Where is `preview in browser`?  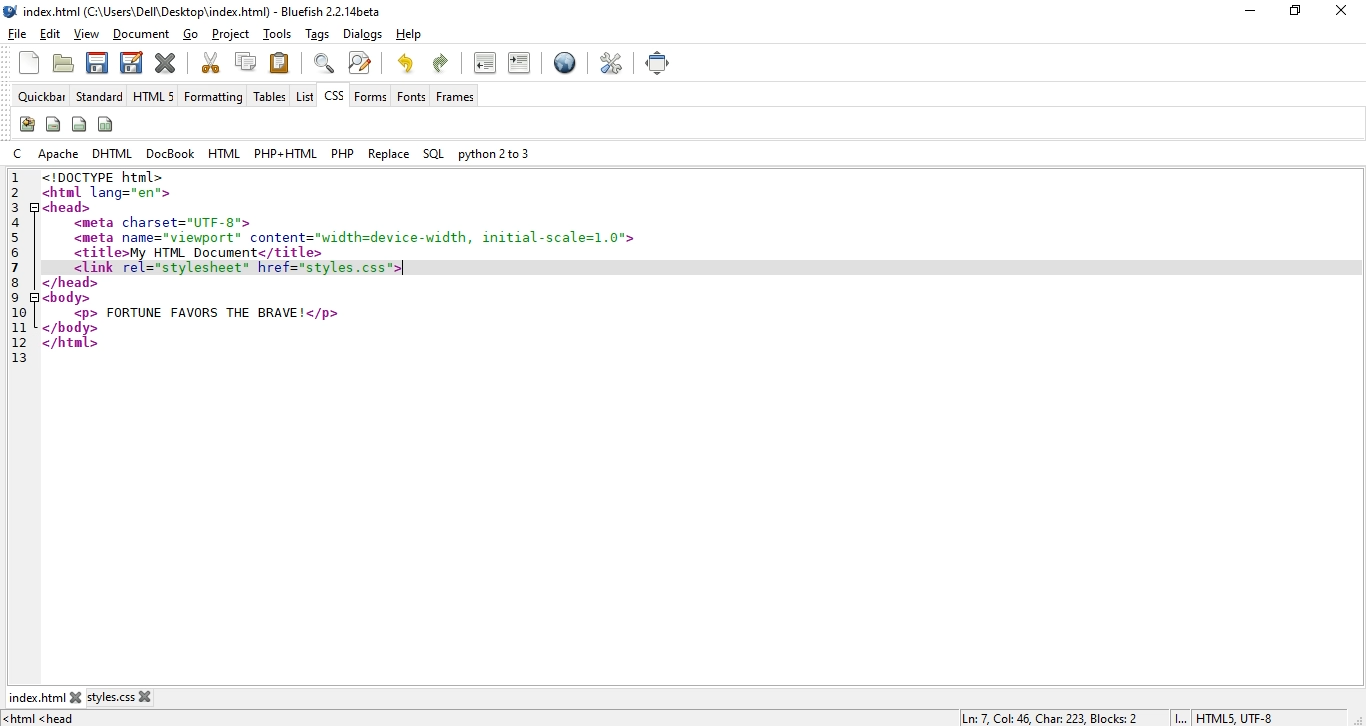 preview in browser is located at coordinates (565, 65).